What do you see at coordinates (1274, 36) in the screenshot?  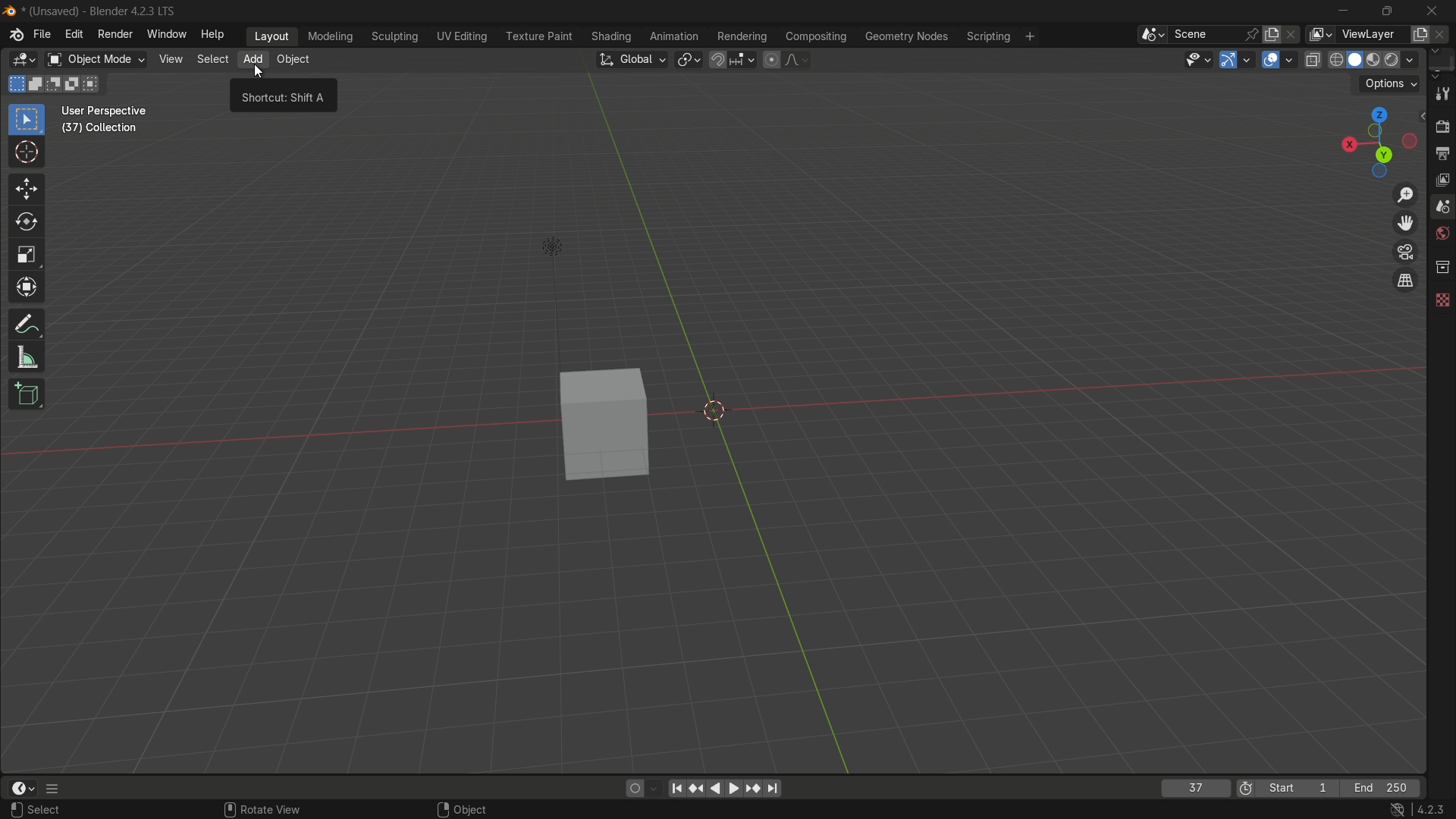 I see `new scene` at bounding box center [1274, 36].